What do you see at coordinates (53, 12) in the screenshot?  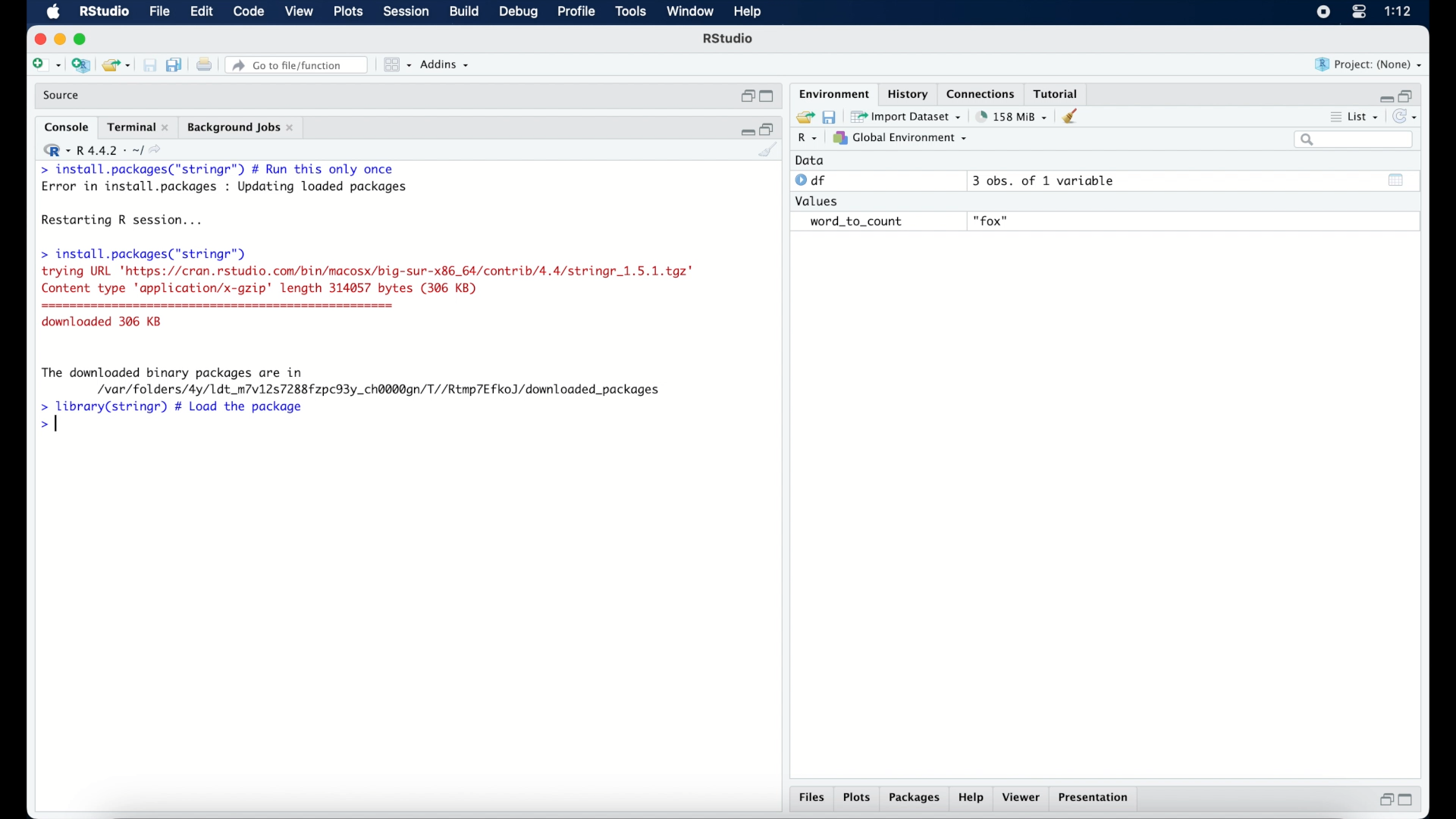 I see `macOS` at bounding box center [53, 12].